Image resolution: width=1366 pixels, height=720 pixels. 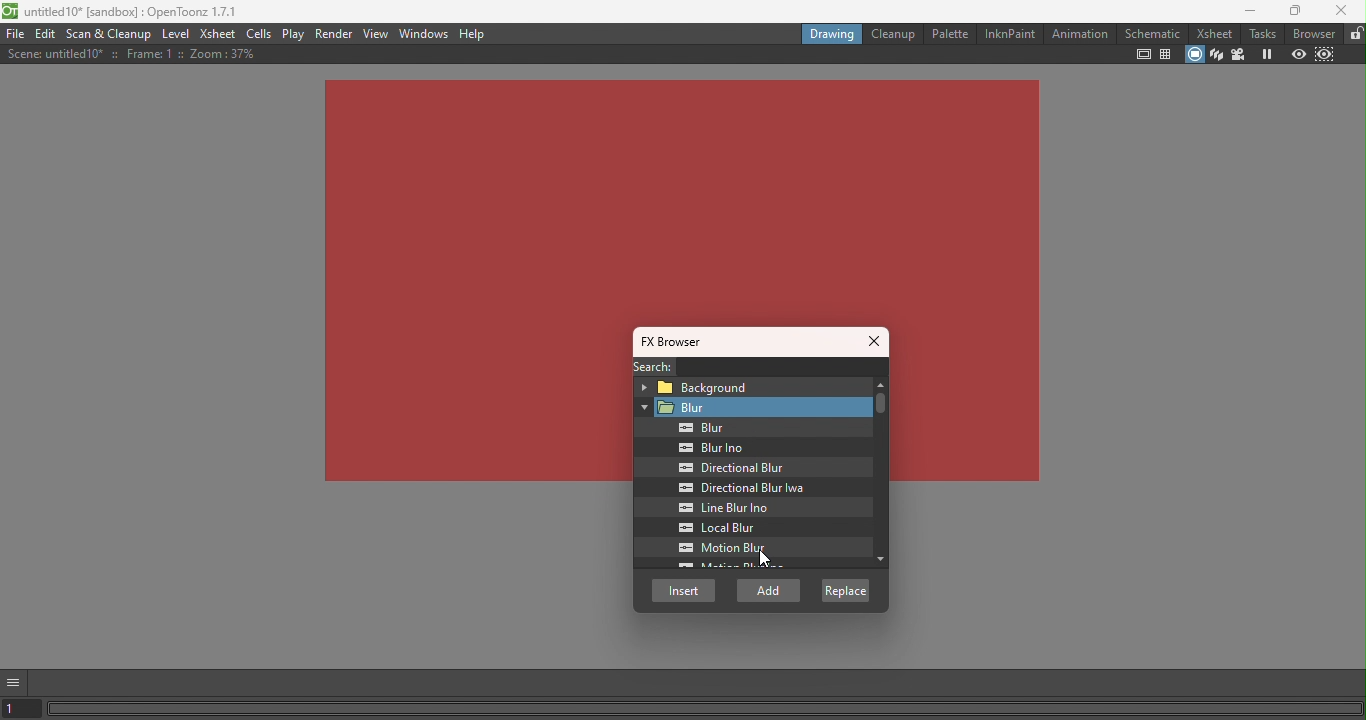 What do you see at coordinates (131, 54) in the screenshot?
I see `Scene details` at bounding box center [131, 54].